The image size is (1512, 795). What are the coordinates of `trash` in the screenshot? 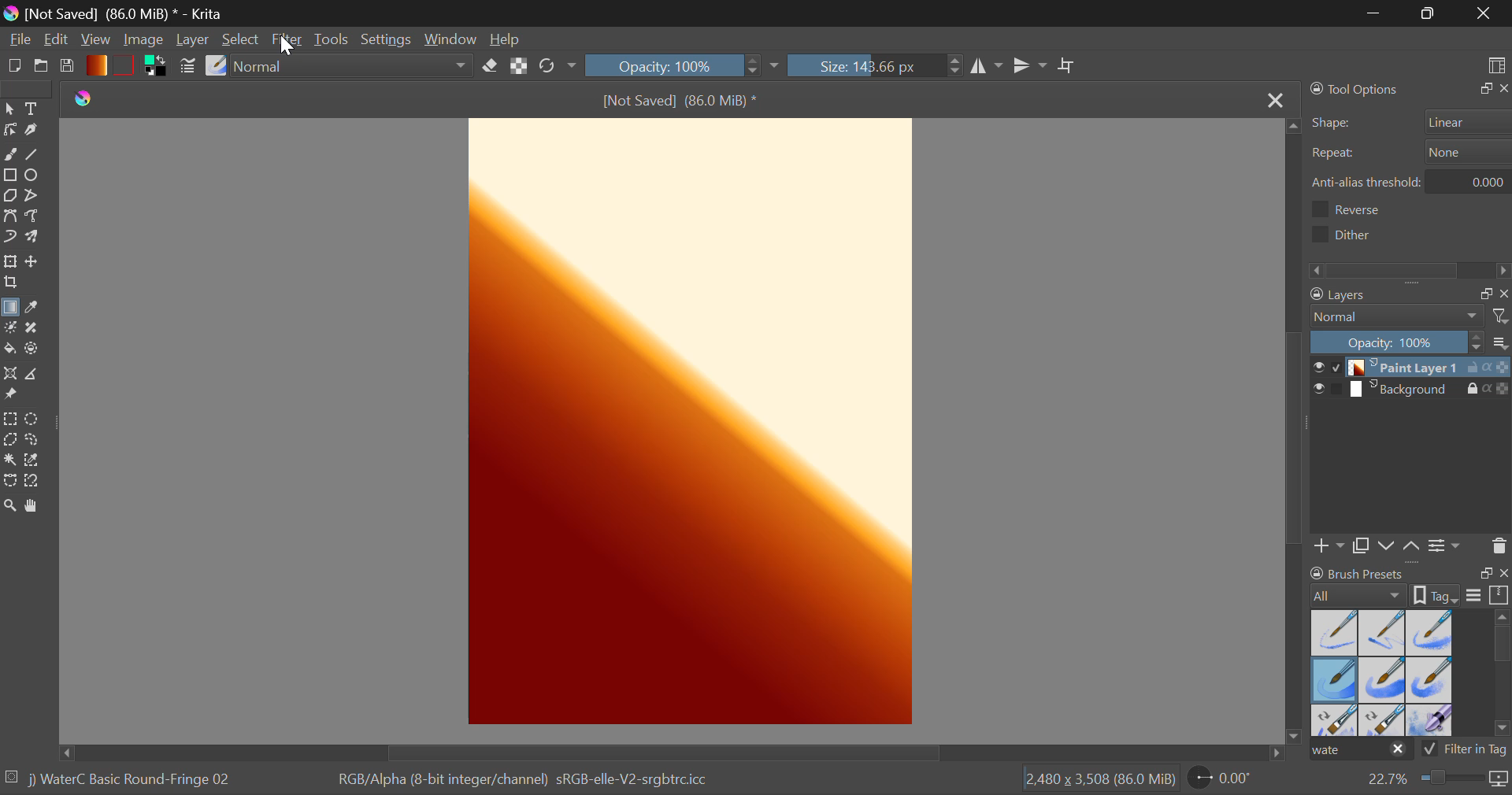 It's located at (1499, 545).